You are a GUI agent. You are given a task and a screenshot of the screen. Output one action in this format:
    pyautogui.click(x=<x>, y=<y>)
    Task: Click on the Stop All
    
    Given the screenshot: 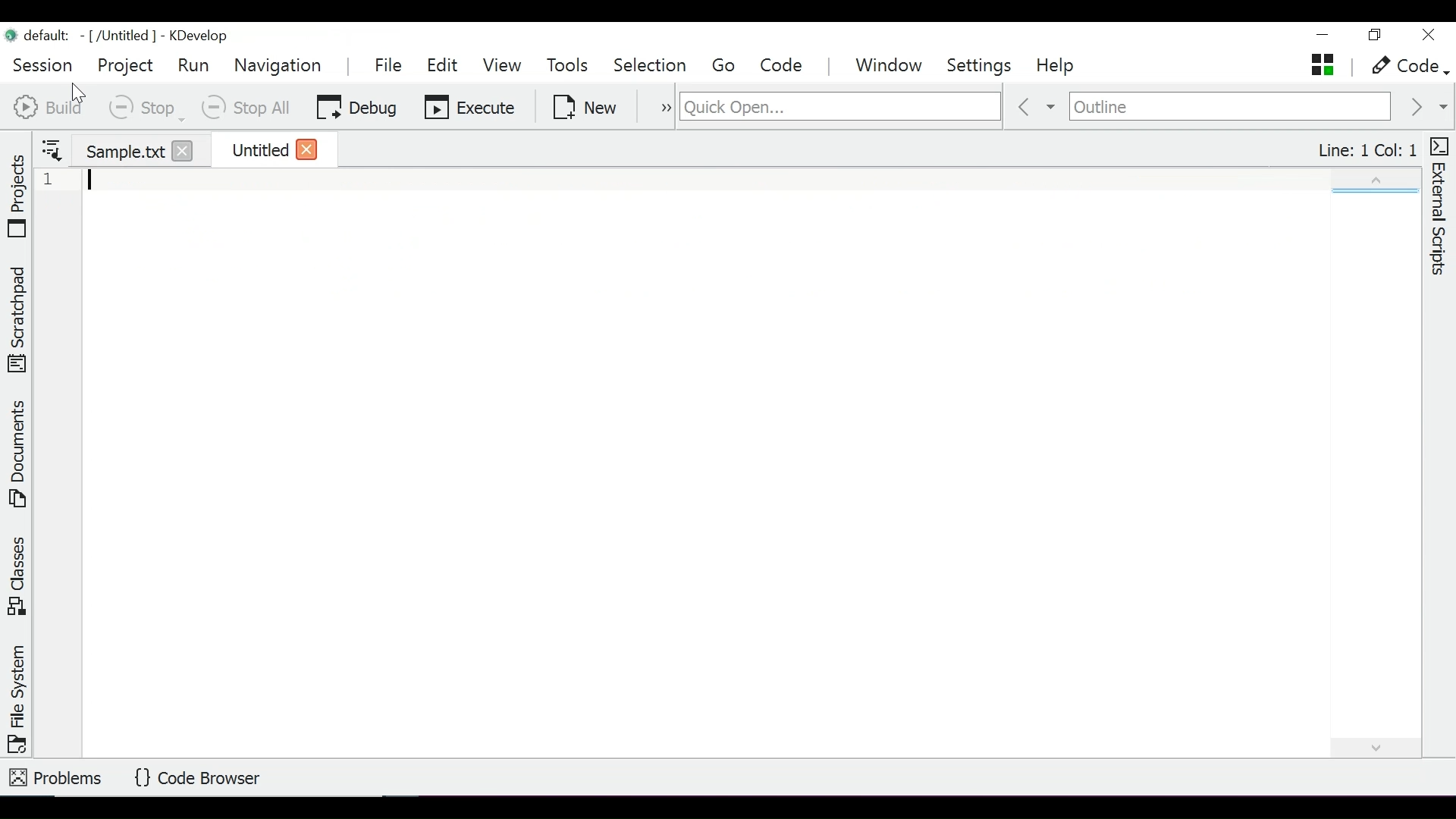 What is the action you would take?
    pyautogui.click(x=249, y=108)
    